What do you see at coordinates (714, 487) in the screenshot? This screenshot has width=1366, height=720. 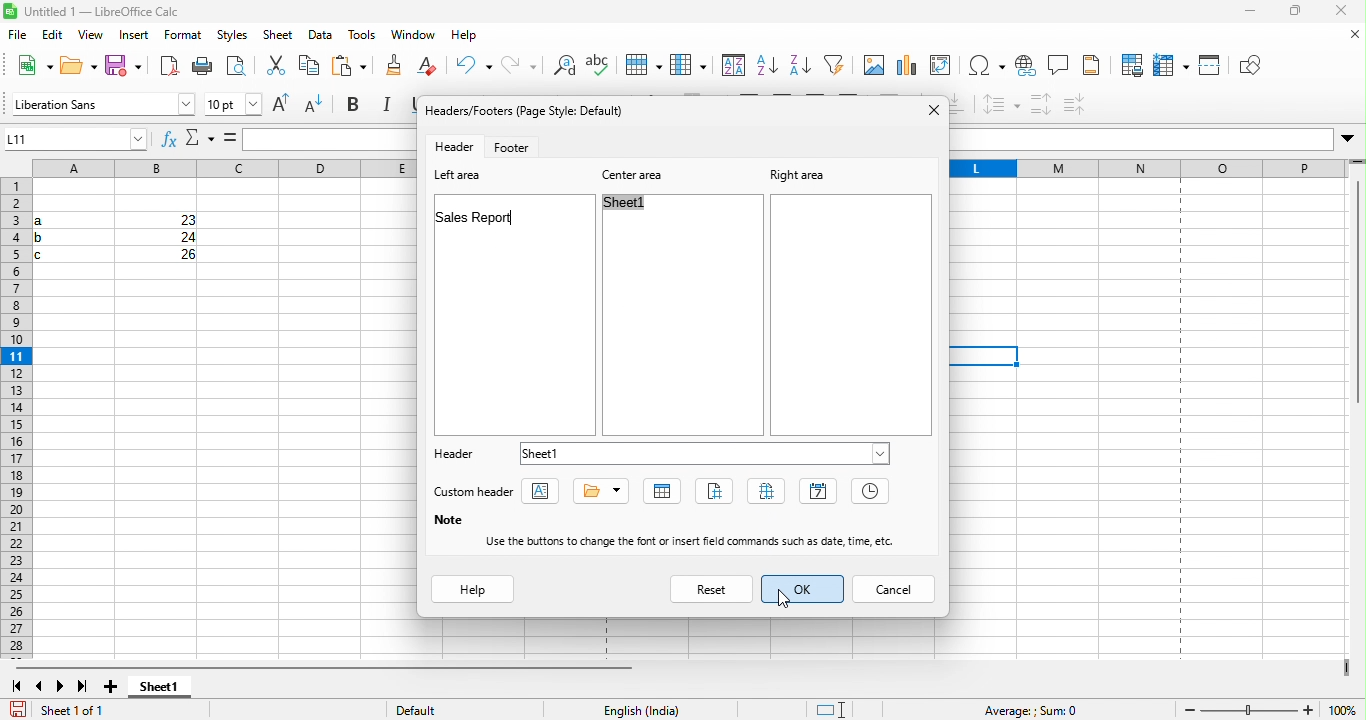 I see `page` at bounding box center [714, 487].